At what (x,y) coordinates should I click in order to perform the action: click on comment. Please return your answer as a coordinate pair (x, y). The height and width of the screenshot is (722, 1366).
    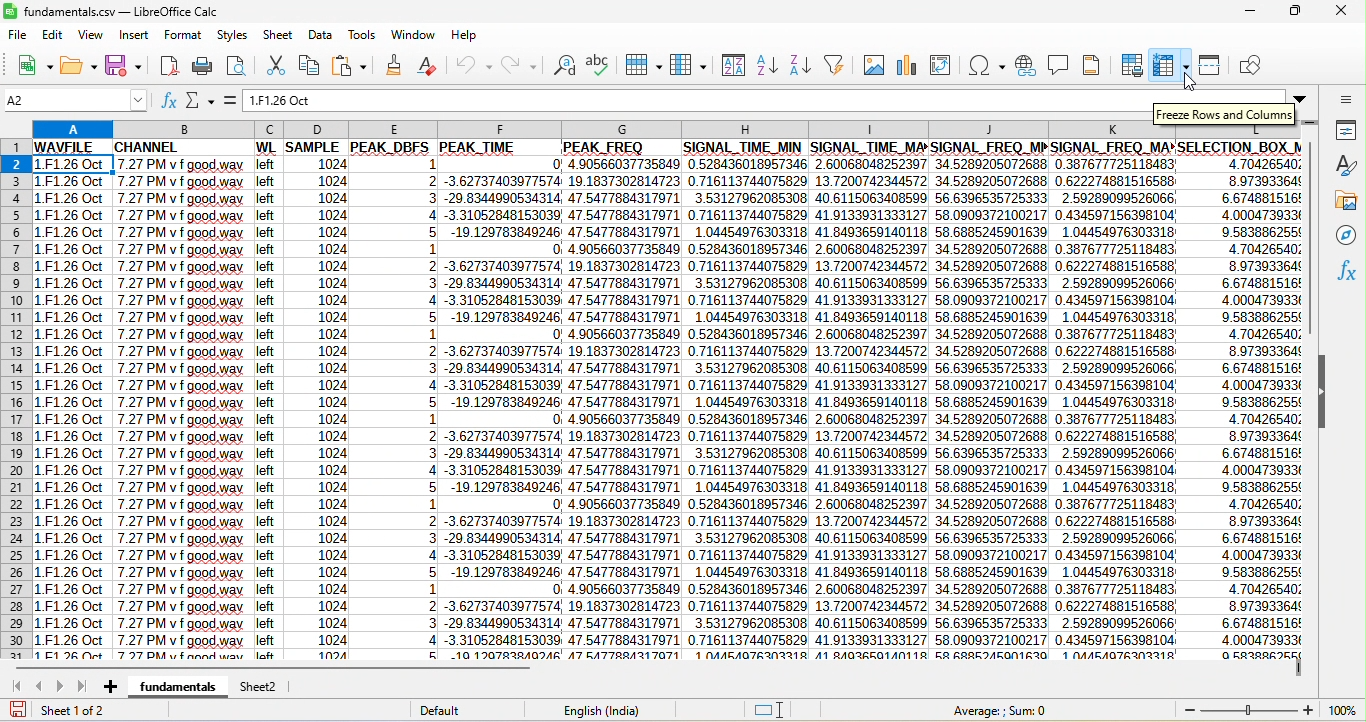
    Looking at the image, I should click on (1060, 65).